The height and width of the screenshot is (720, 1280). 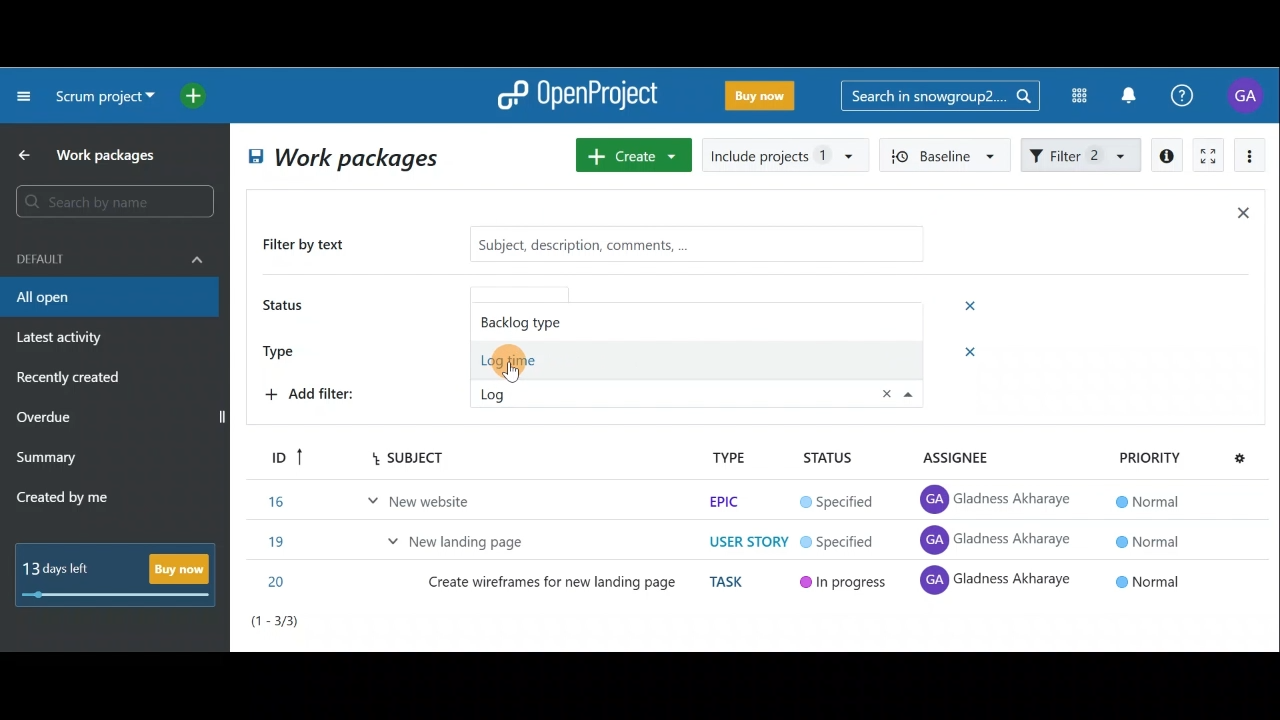 What do you see at coordinates (382, 457) in the screenshot?
I see `Menu bar` at bounding box center [382, 457].